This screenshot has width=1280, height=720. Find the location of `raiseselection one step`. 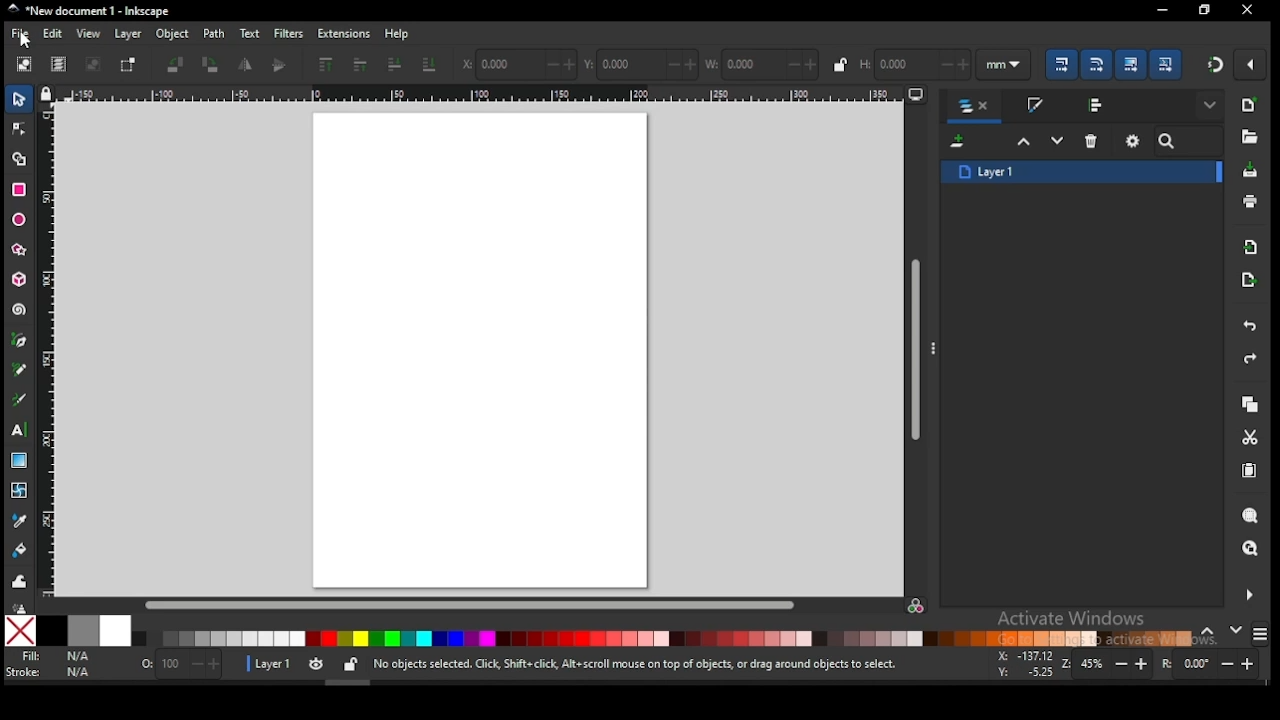

raiseselection one step is located at coordinates (1024, 142).